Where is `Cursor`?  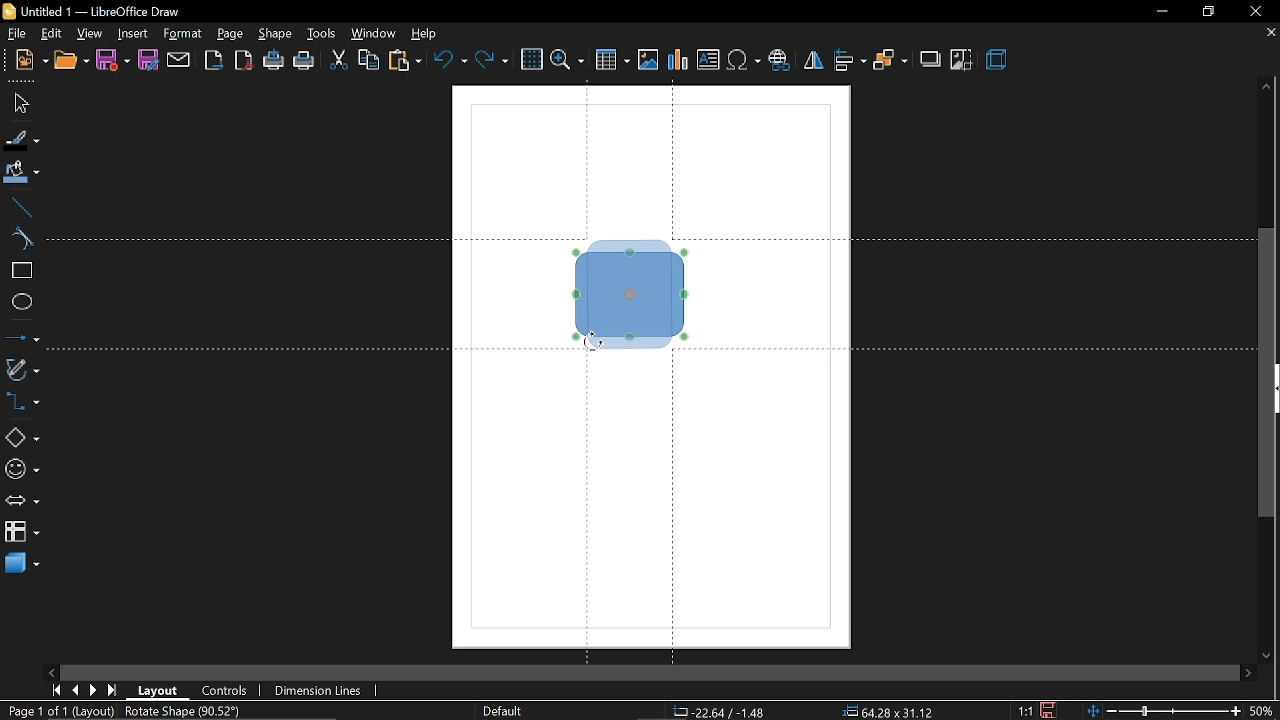 Cursor is located at coordinates (595, 338).